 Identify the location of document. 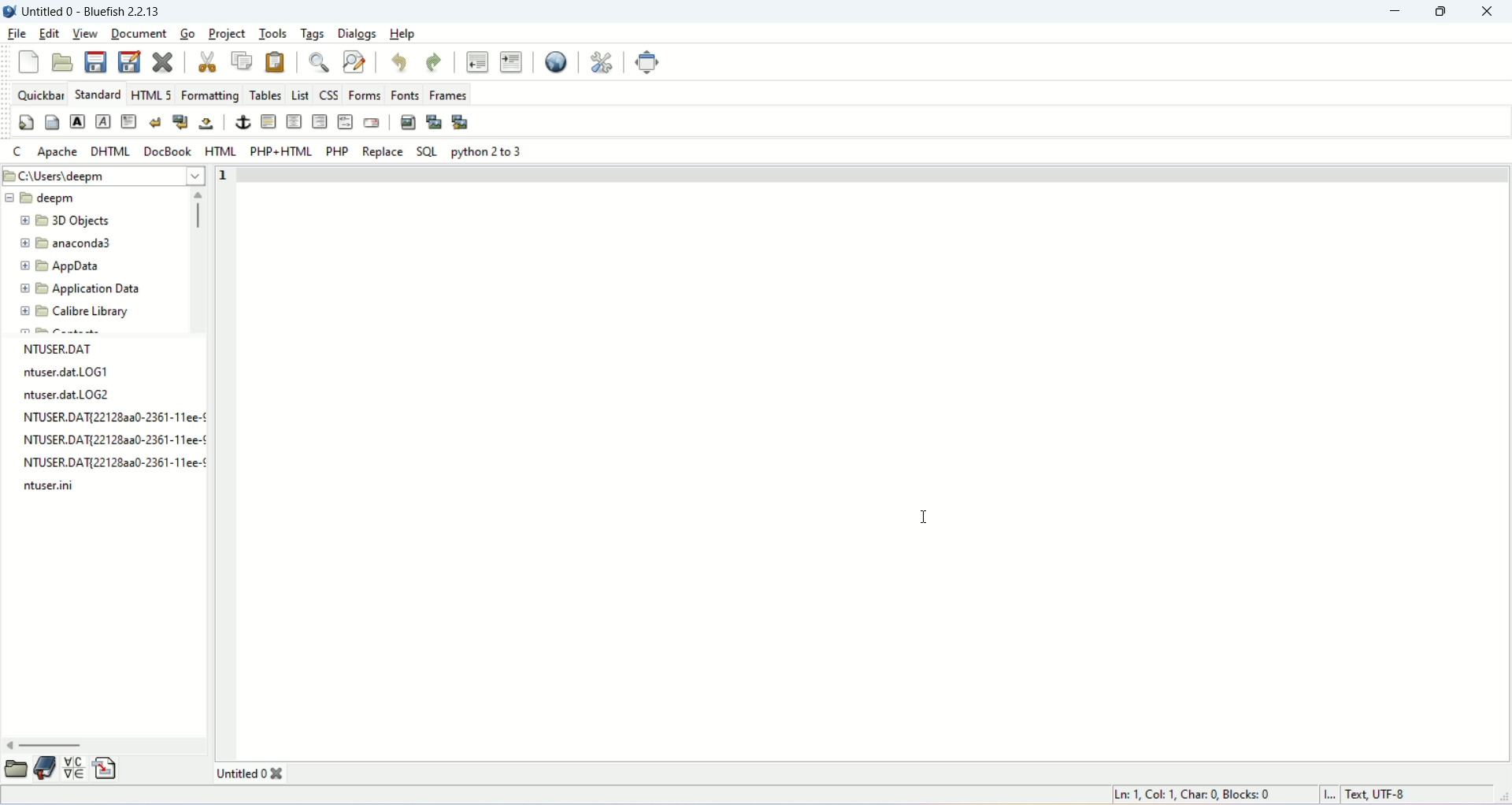
(139, 32).